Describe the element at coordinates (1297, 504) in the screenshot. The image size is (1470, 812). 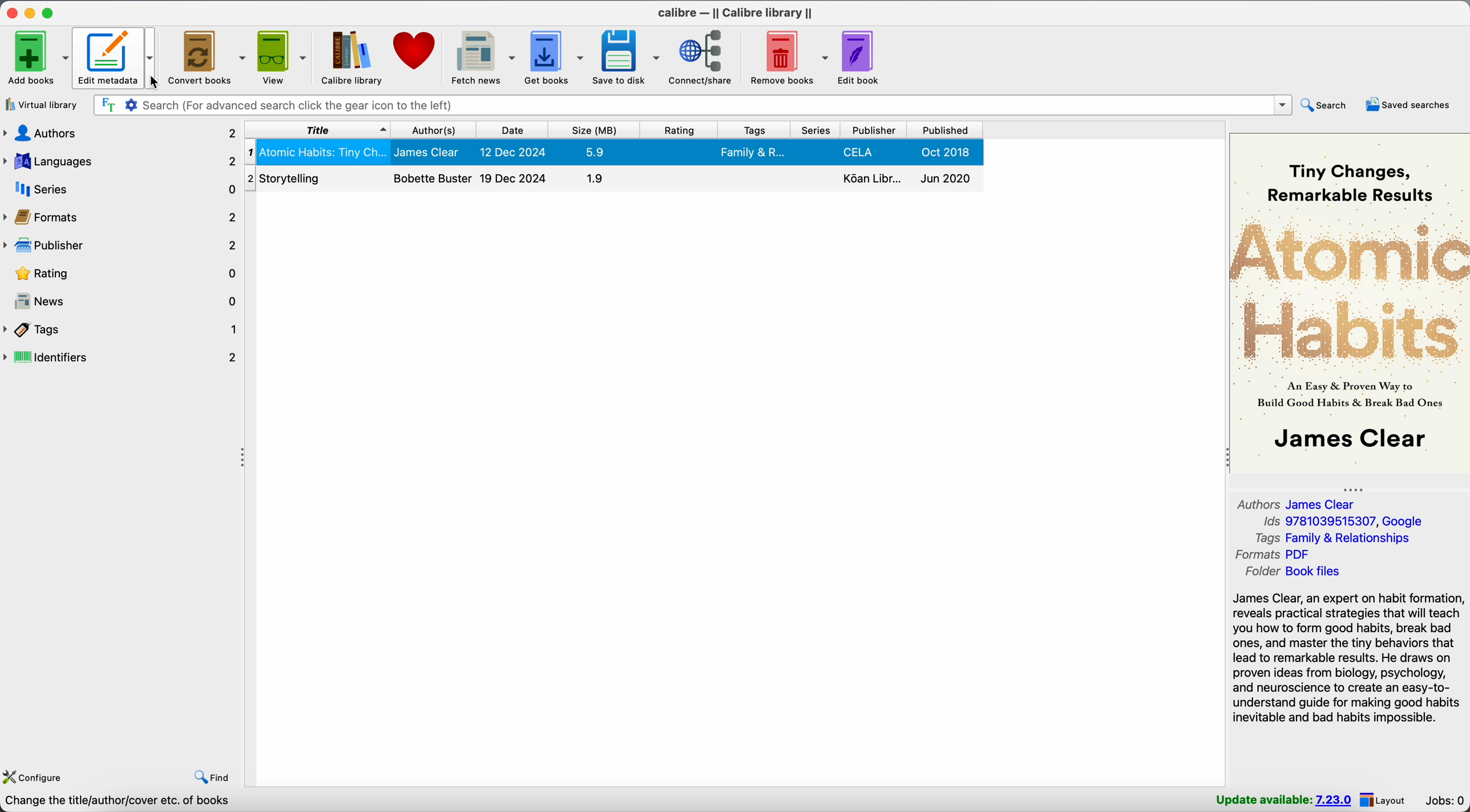
I see `authors James Clear` at that location.